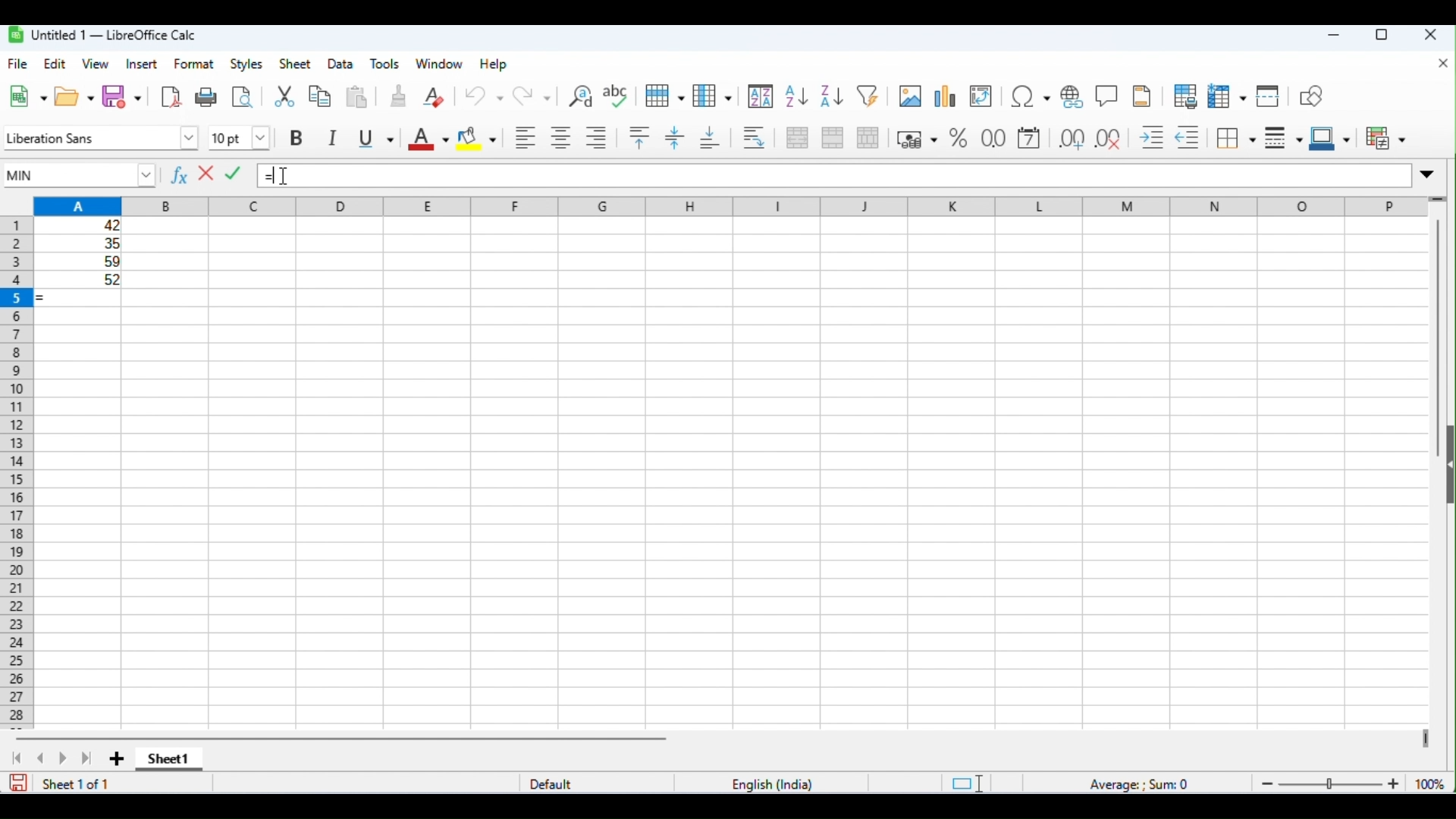 This screenshot has height=819, width=1456. Describe the element at coordinates (497, 65) in the screenshot. I see `help` at that location.